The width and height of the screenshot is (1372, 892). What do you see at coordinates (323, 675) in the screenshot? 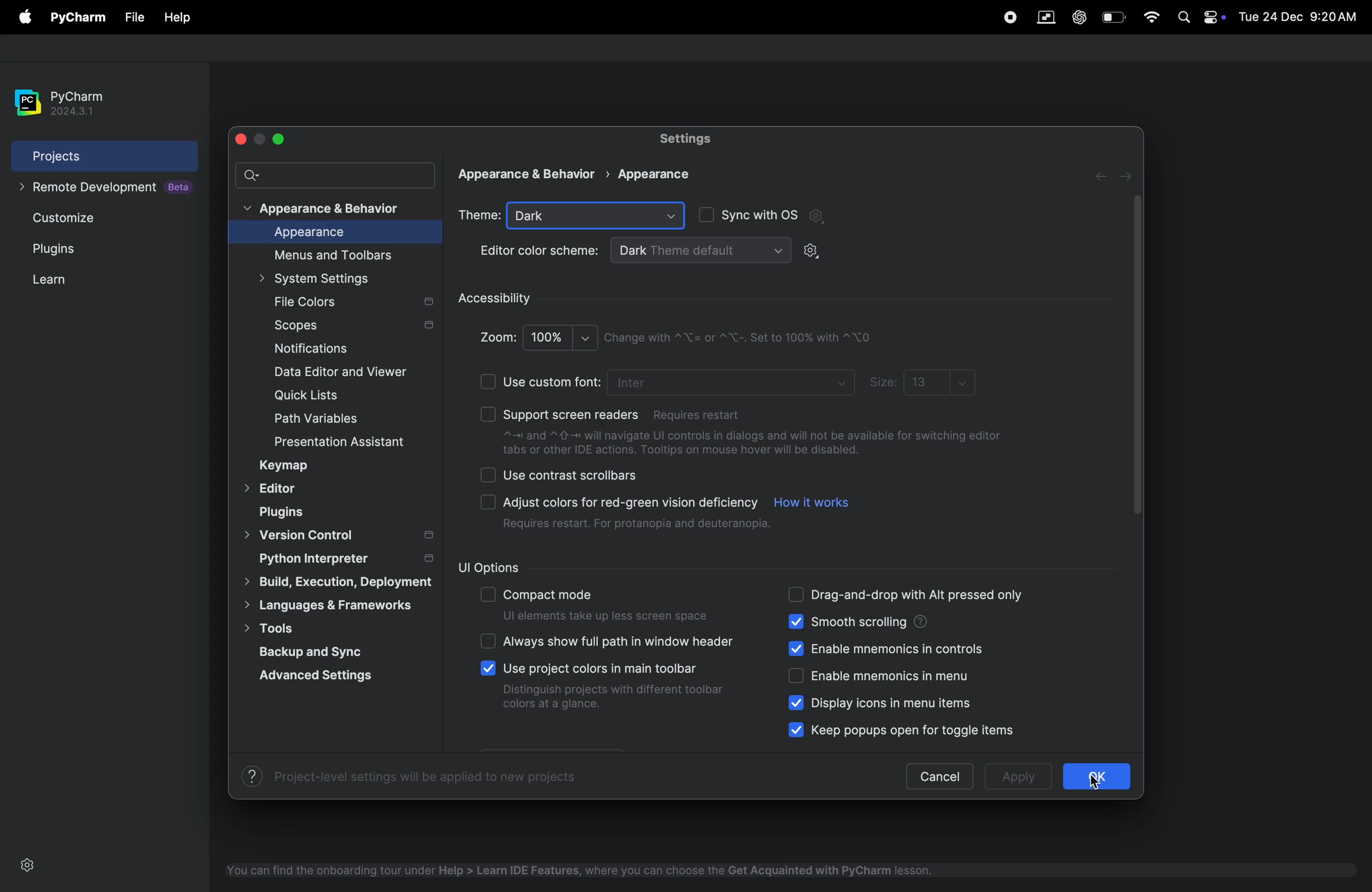
I see `advance settings` at bounding box center [323, 675].